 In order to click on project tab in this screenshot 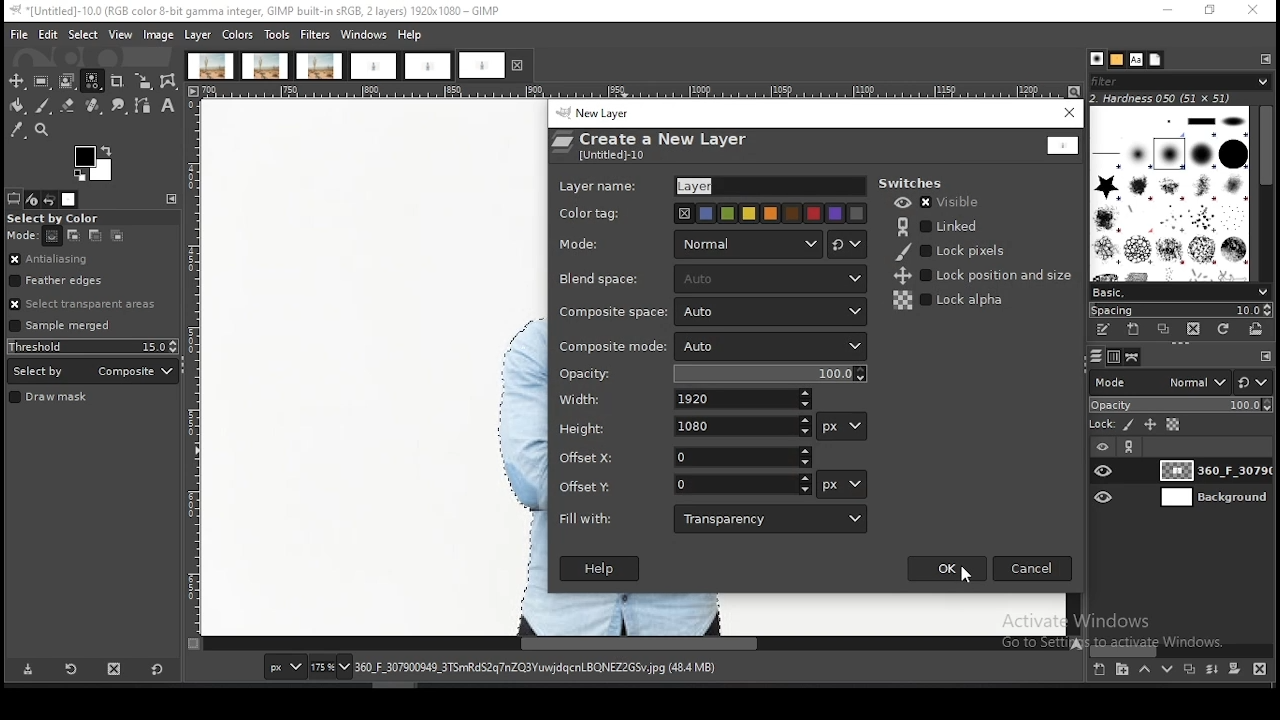, I will do `click(428, 67)`.